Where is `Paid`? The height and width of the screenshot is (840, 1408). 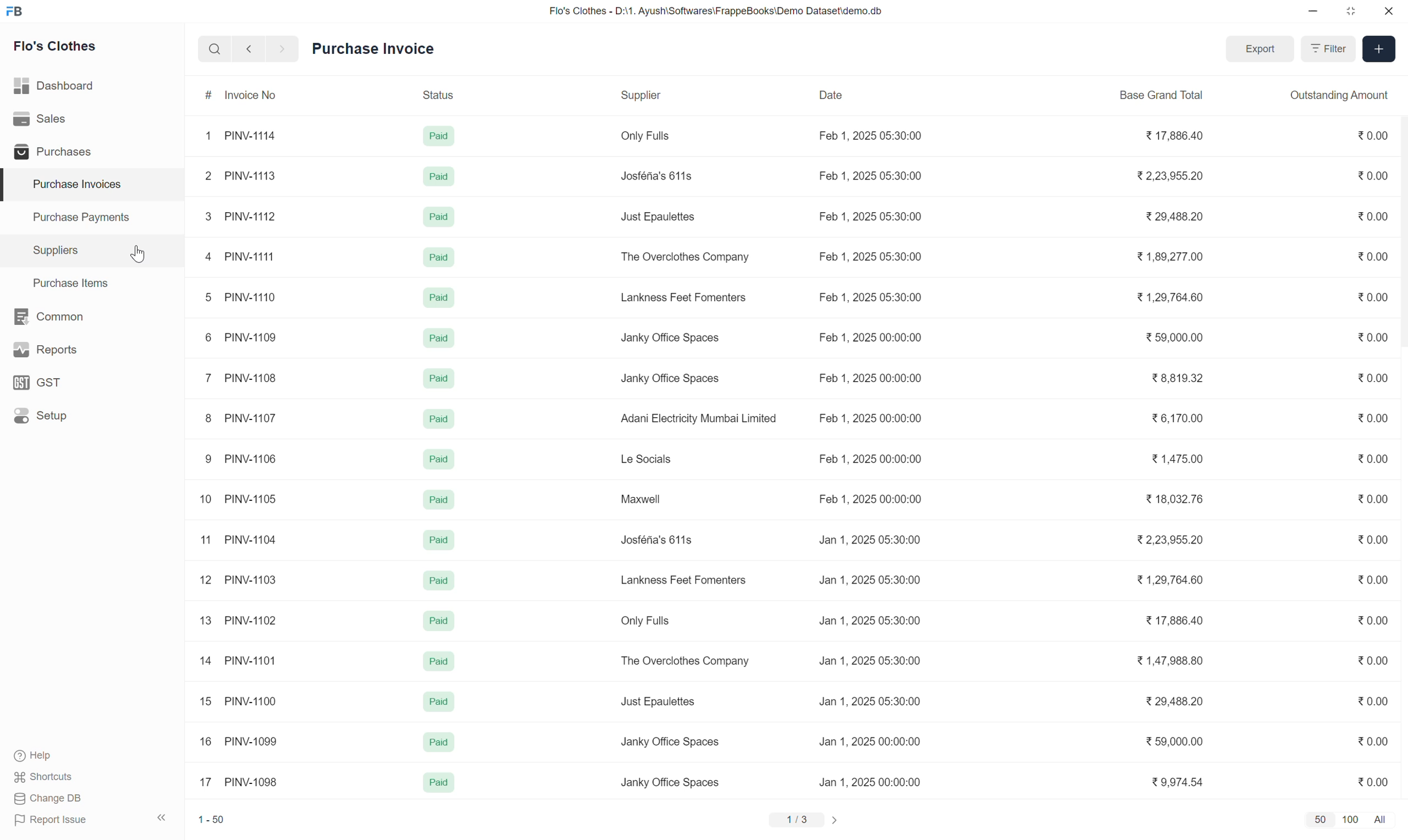 Paid is located at coordinates (438, 137).